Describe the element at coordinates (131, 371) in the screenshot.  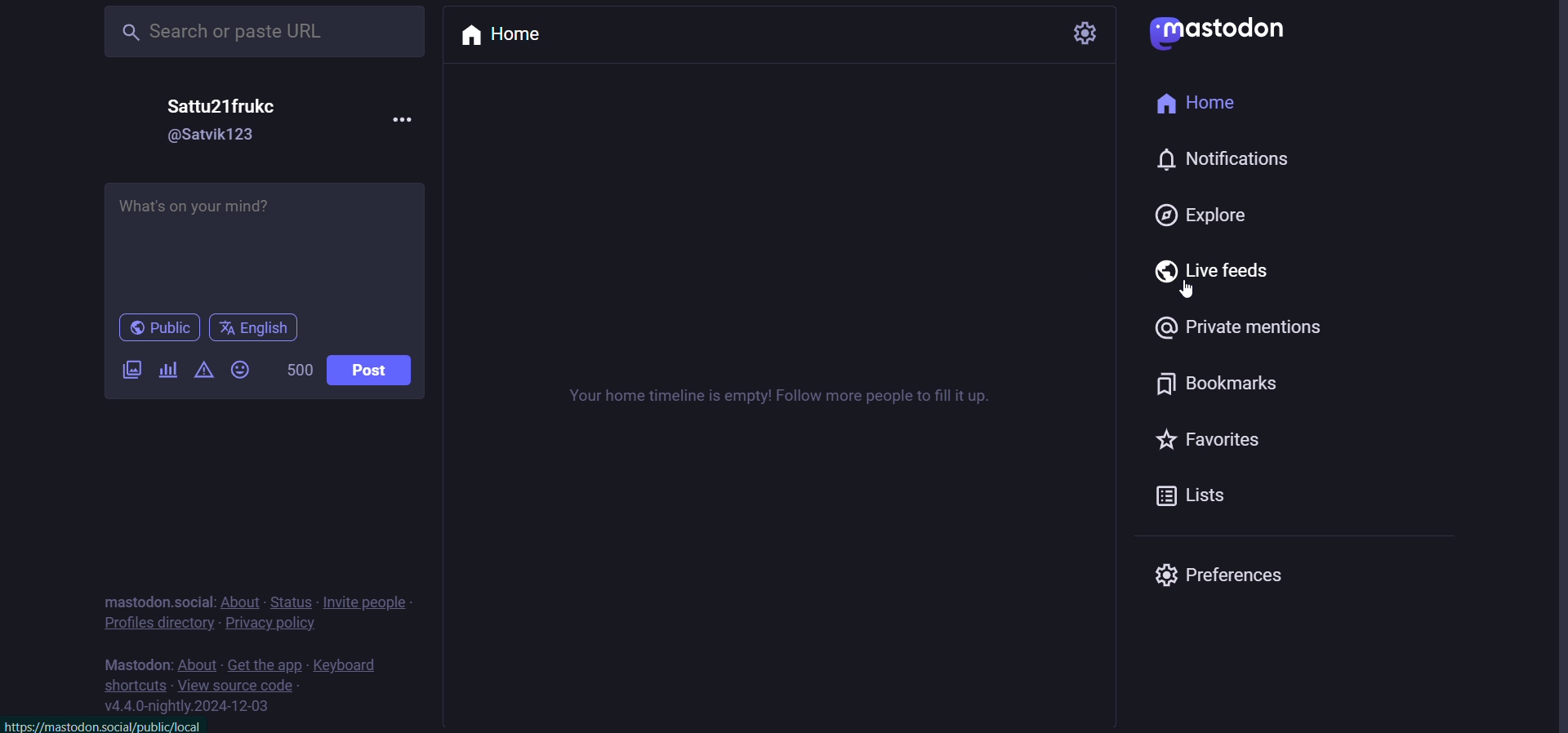
I see `images/videos` at that location.